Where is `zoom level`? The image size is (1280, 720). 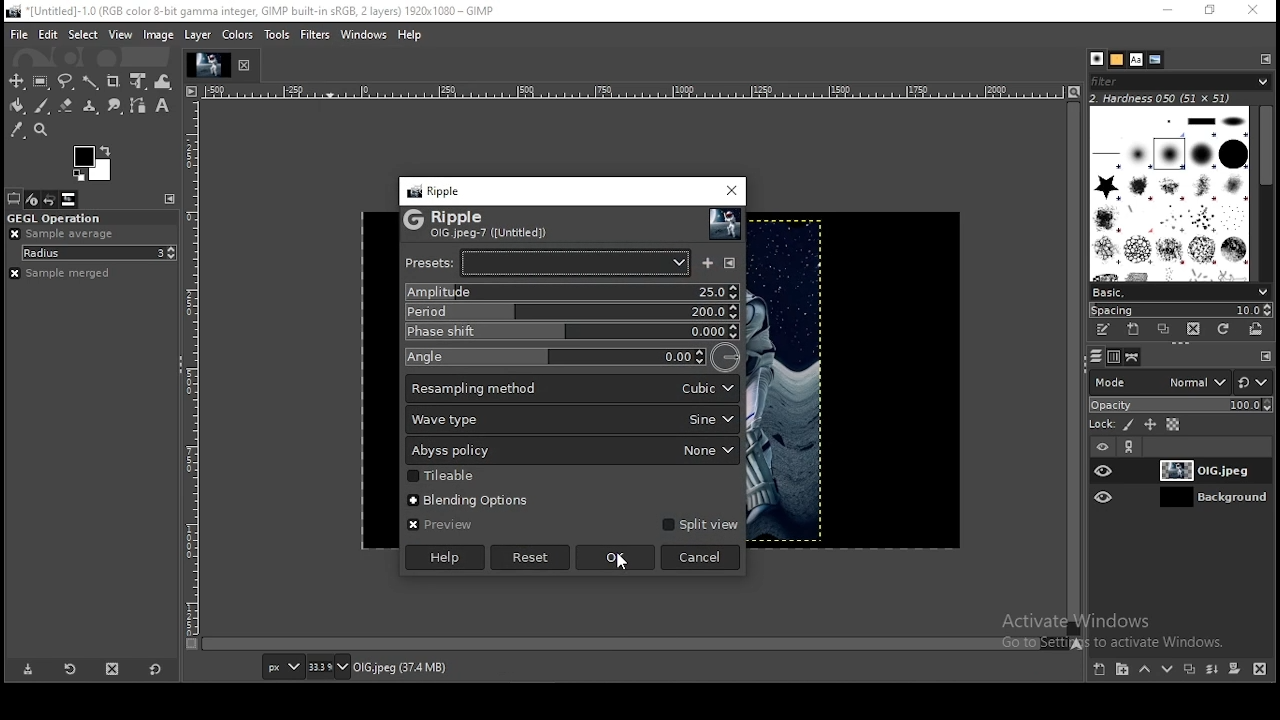
zoom level is located at coordinates (328, 668).